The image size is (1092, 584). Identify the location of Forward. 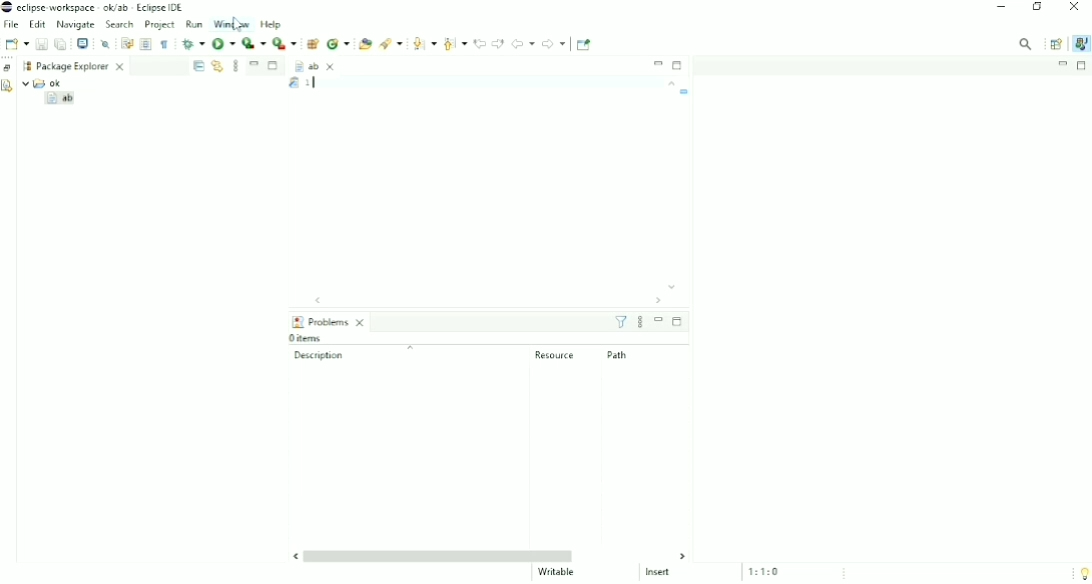
(554, 43).